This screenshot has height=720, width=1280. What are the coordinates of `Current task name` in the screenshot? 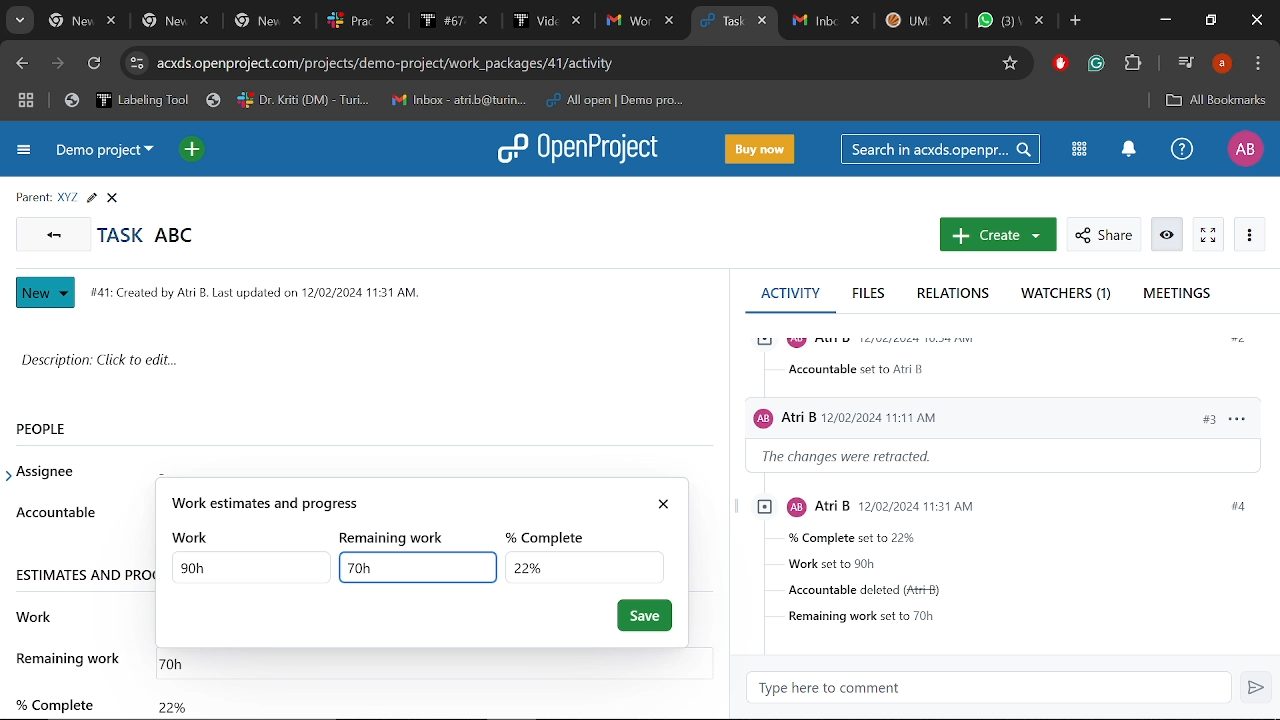 It's located at (153, 234).